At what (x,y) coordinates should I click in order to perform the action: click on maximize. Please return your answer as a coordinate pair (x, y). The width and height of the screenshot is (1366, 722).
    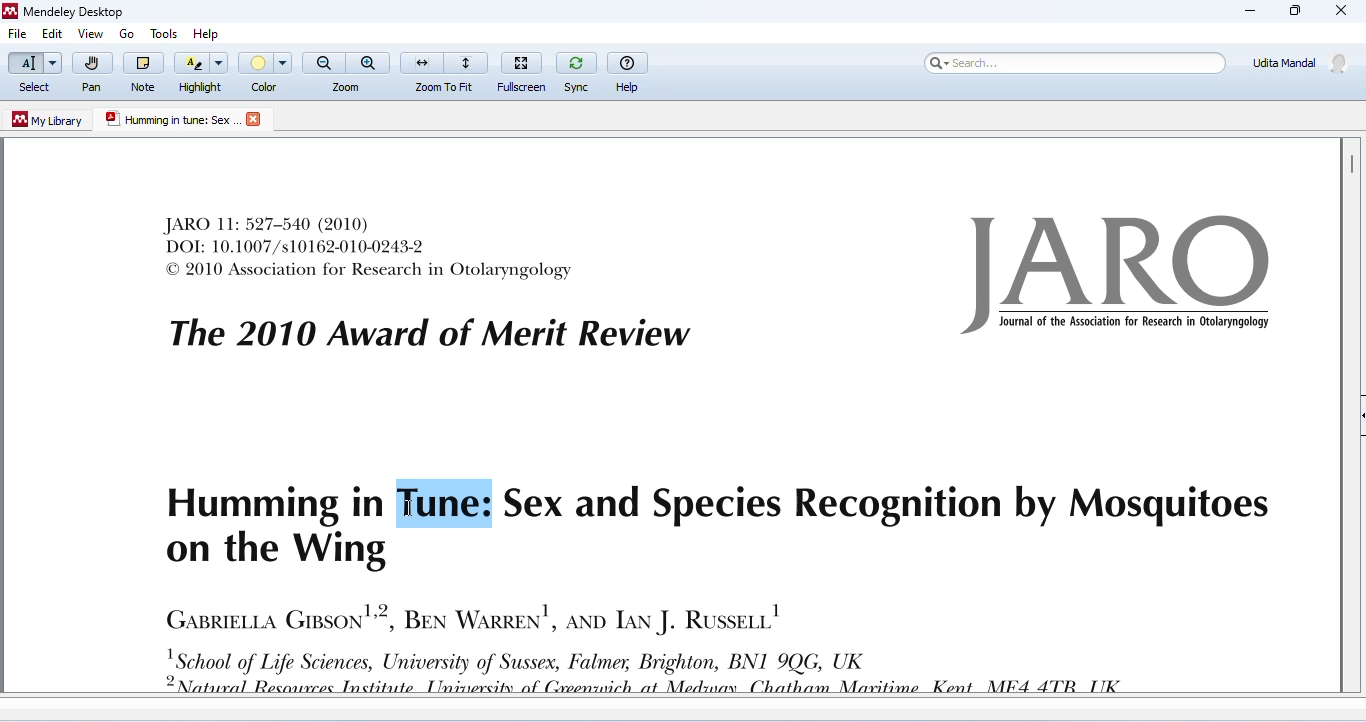
    Looking at the image, I should click on (1293, 11).